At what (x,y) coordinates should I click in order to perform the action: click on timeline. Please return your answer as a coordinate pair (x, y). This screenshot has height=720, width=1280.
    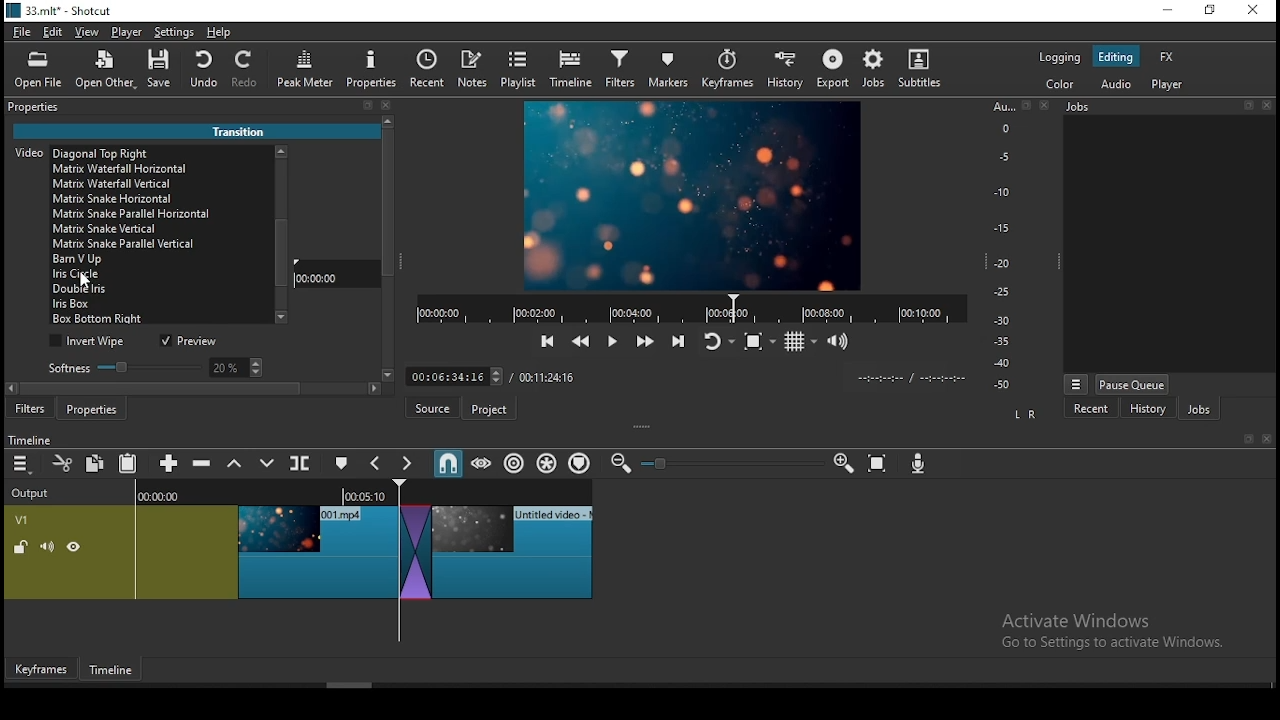
    Looking at the image, I should click on (33, 439).